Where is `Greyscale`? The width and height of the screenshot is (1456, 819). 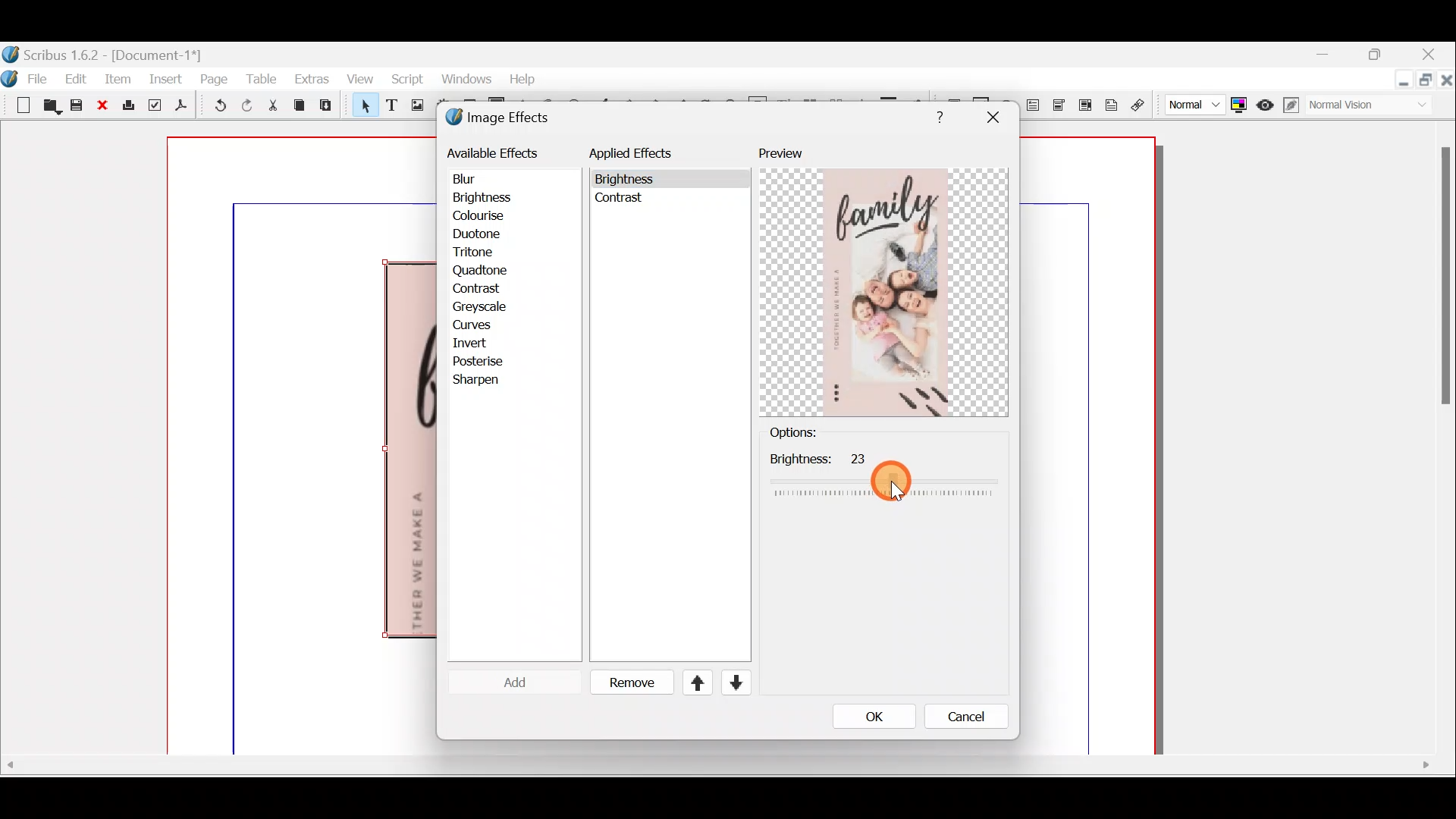 Greyscale is located at coordinates (485, 306).